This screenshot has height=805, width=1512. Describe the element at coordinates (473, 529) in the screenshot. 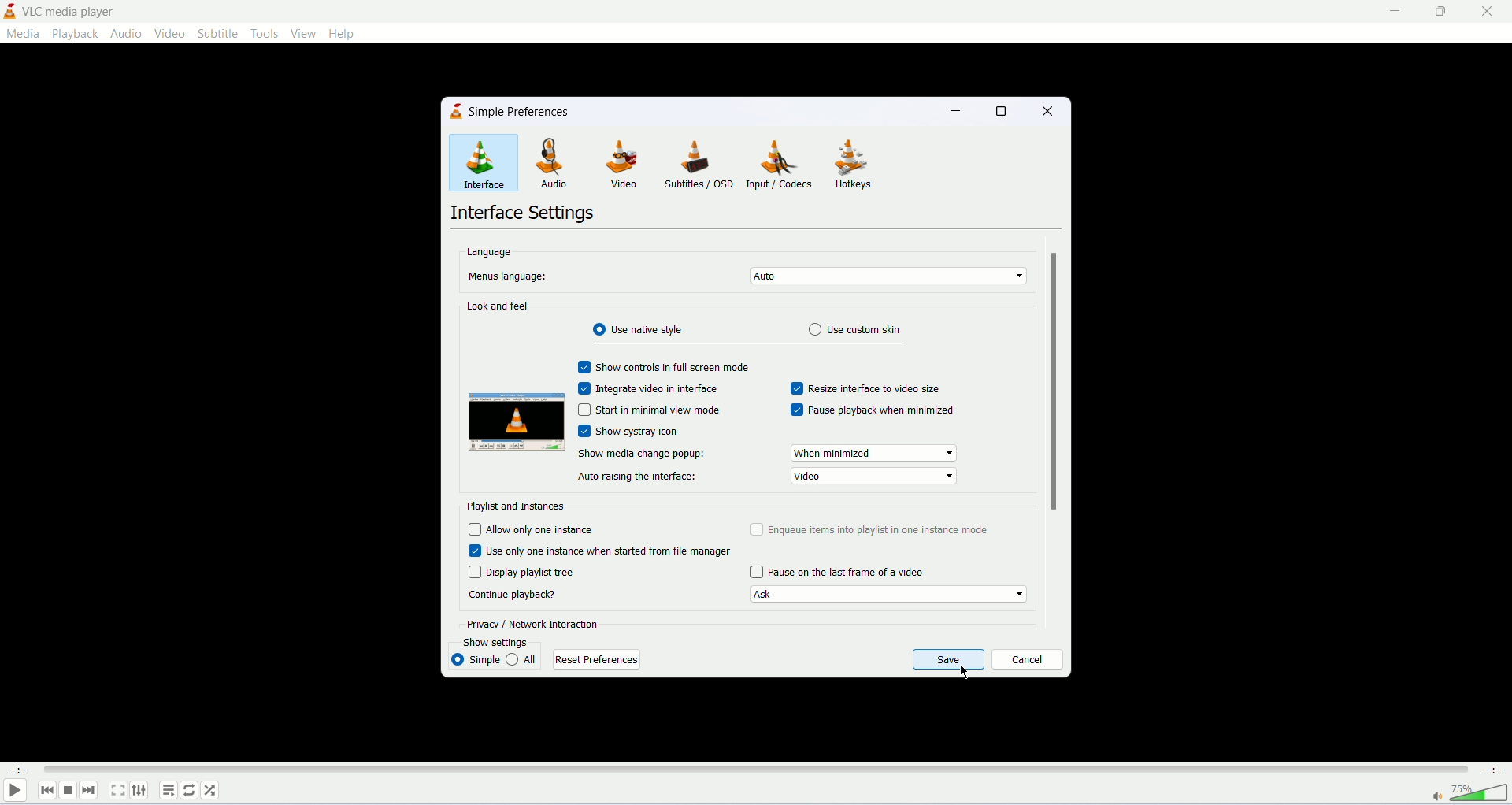

I see `check box` at that location.